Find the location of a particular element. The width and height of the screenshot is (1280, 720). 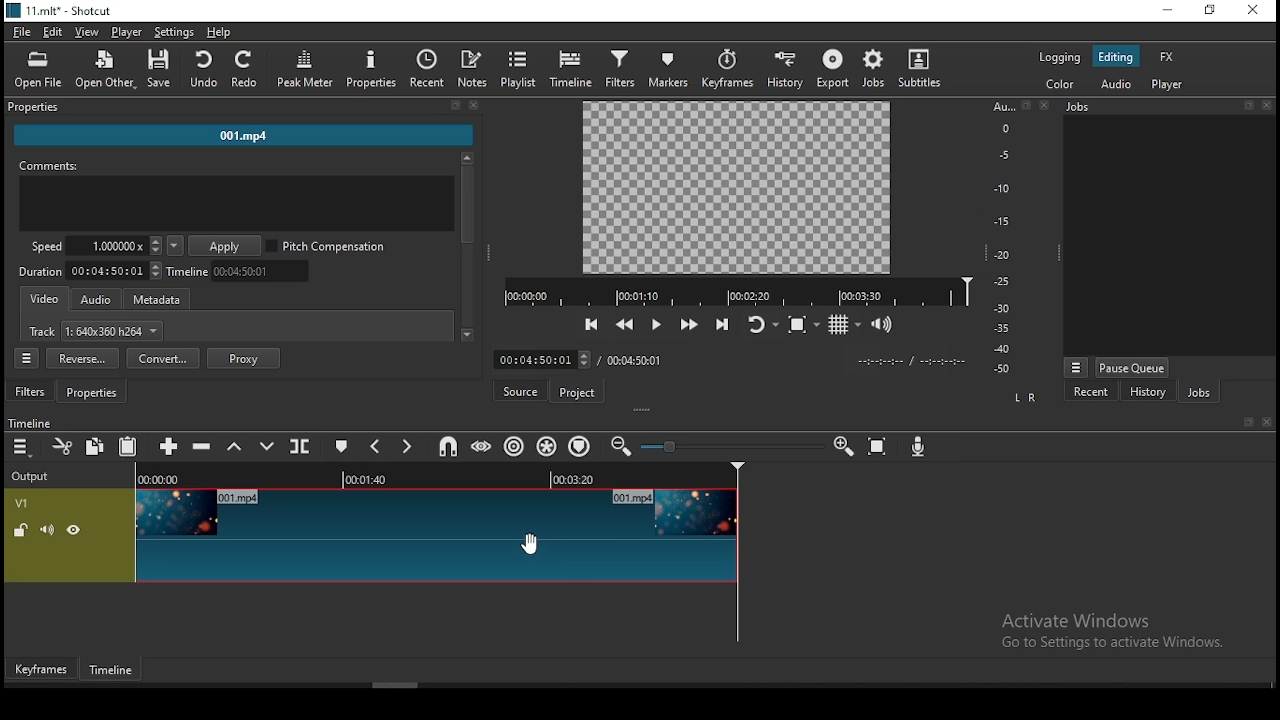

(un)hide is located at coordinates (77, 530).